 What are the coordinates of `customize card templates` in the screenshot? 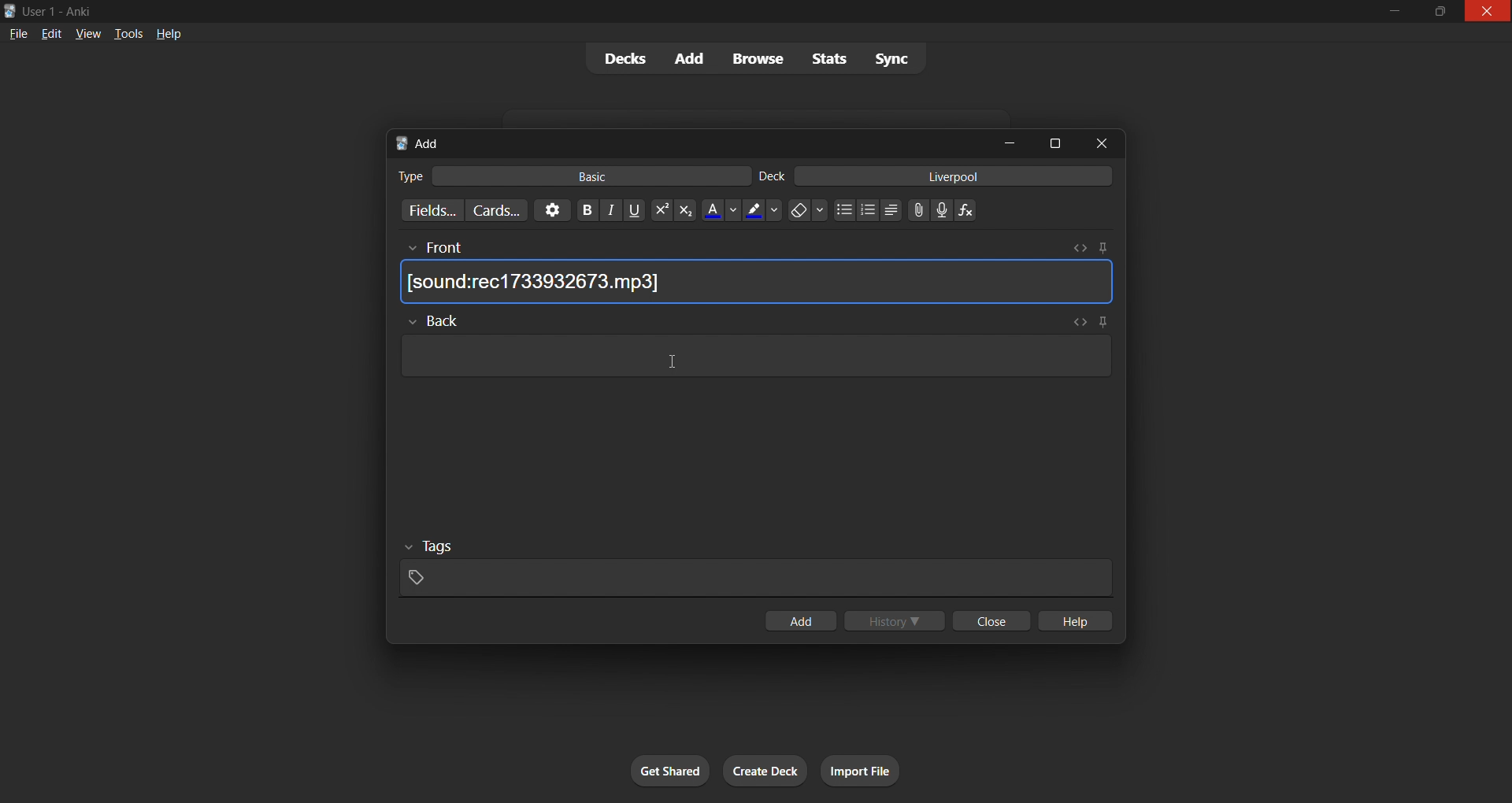 It's located at (497, 212).